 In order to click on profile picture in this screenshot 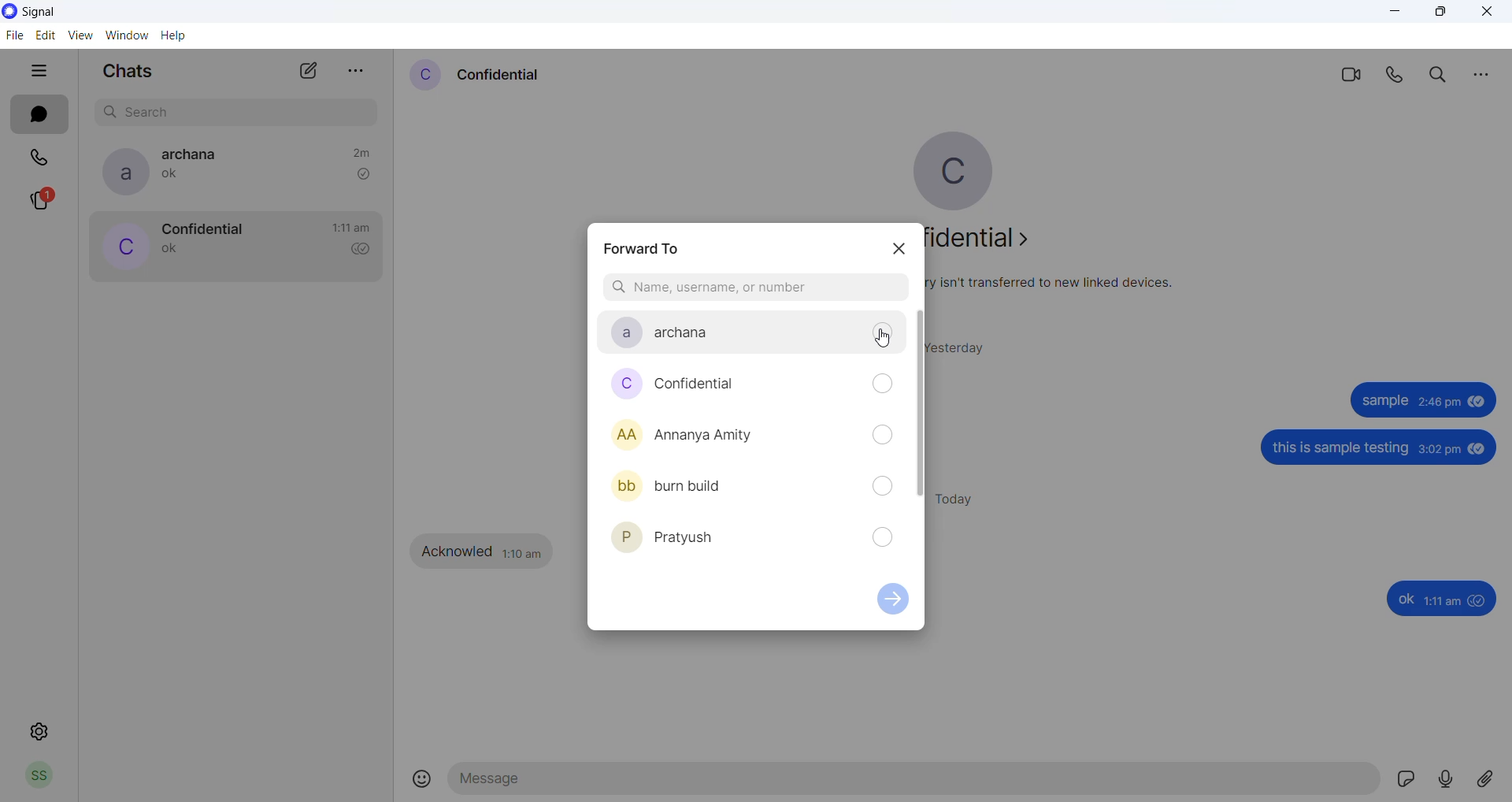, I will do `click(965, 171)`.